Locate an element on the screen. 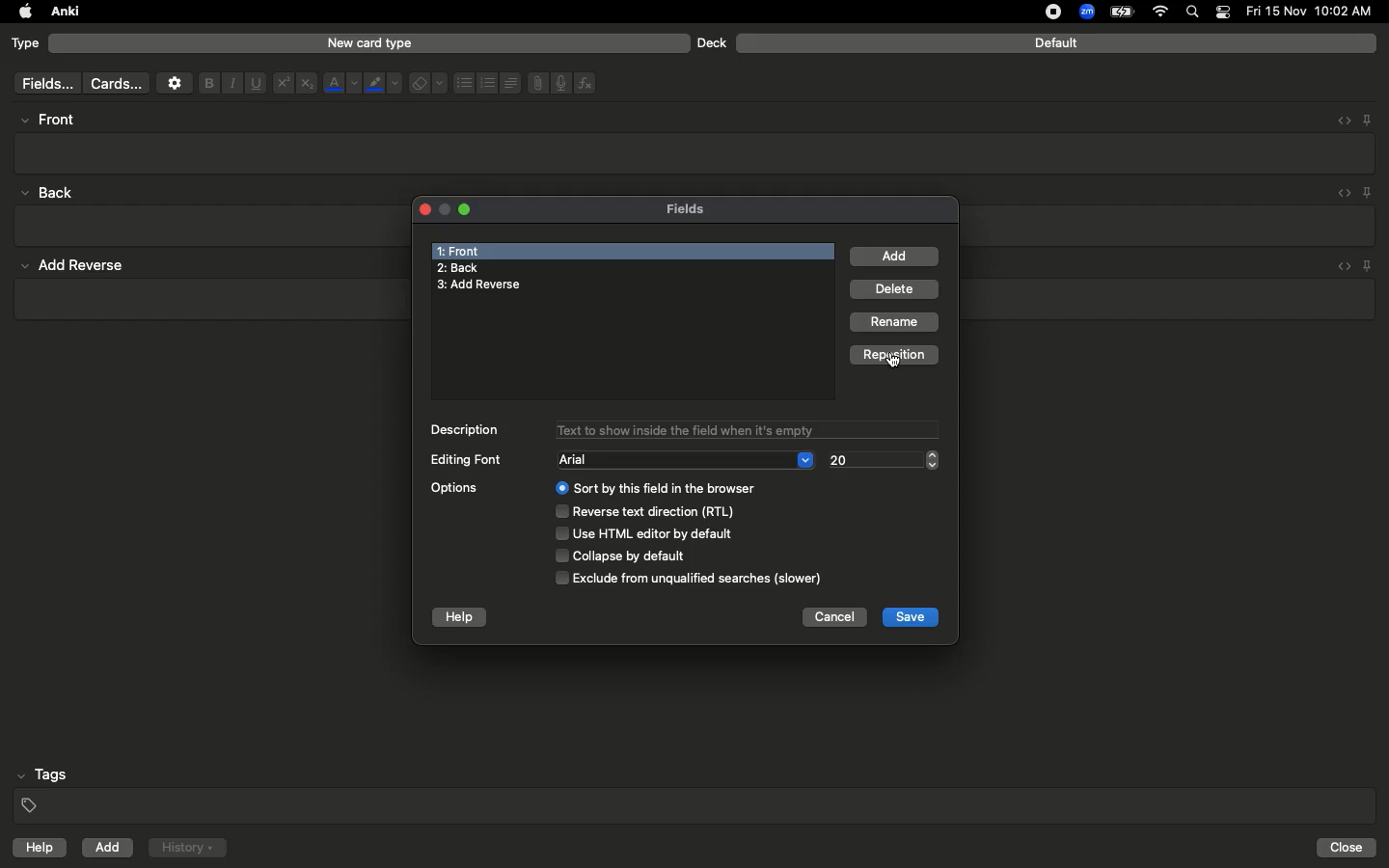 The width and height of the screenshot is (1389, 868). Cancel is located at coordinates (831, 619).